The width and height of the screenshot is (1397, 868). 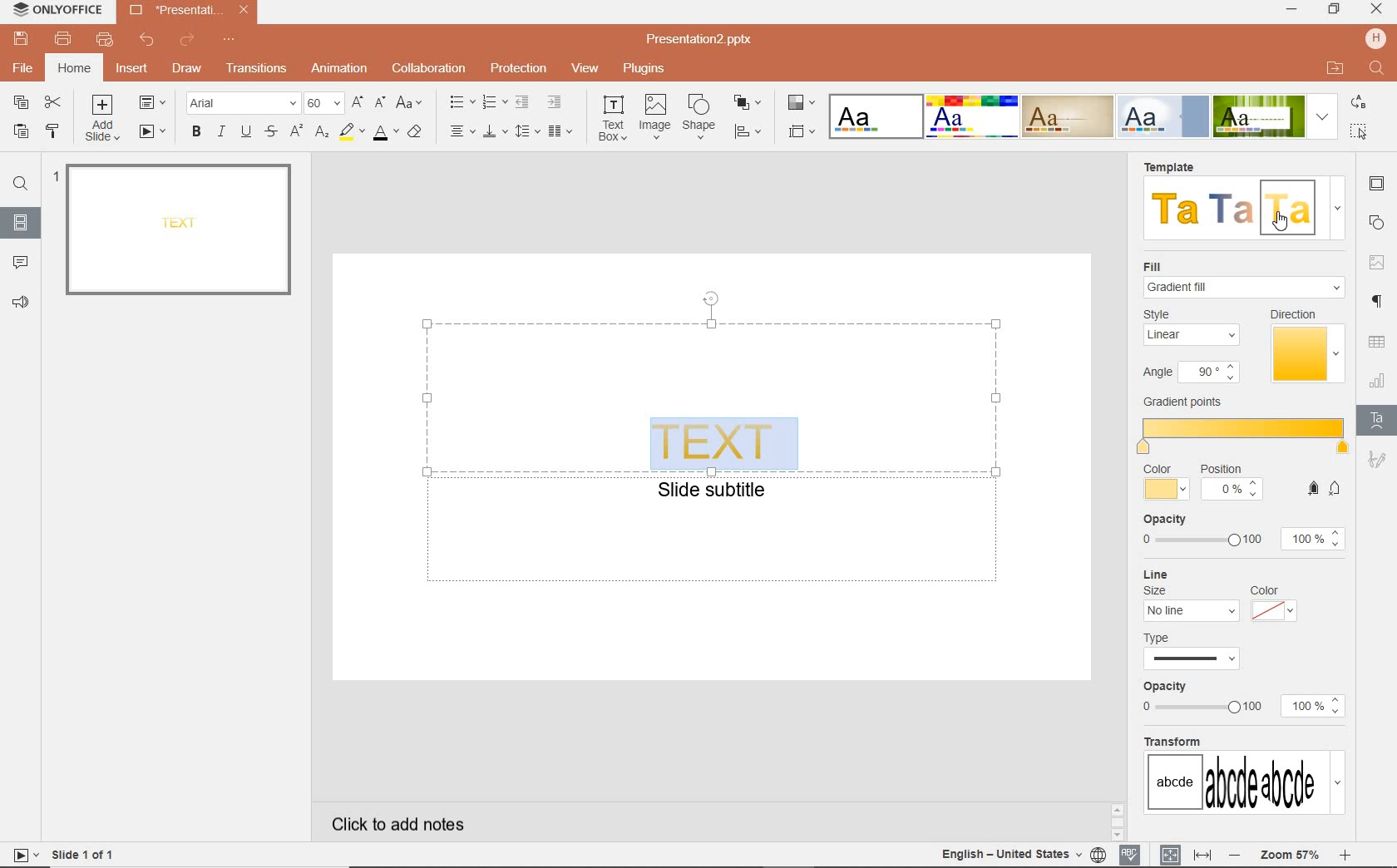 I want to click on CLEAR STYLE, so click(x=419, y=131).